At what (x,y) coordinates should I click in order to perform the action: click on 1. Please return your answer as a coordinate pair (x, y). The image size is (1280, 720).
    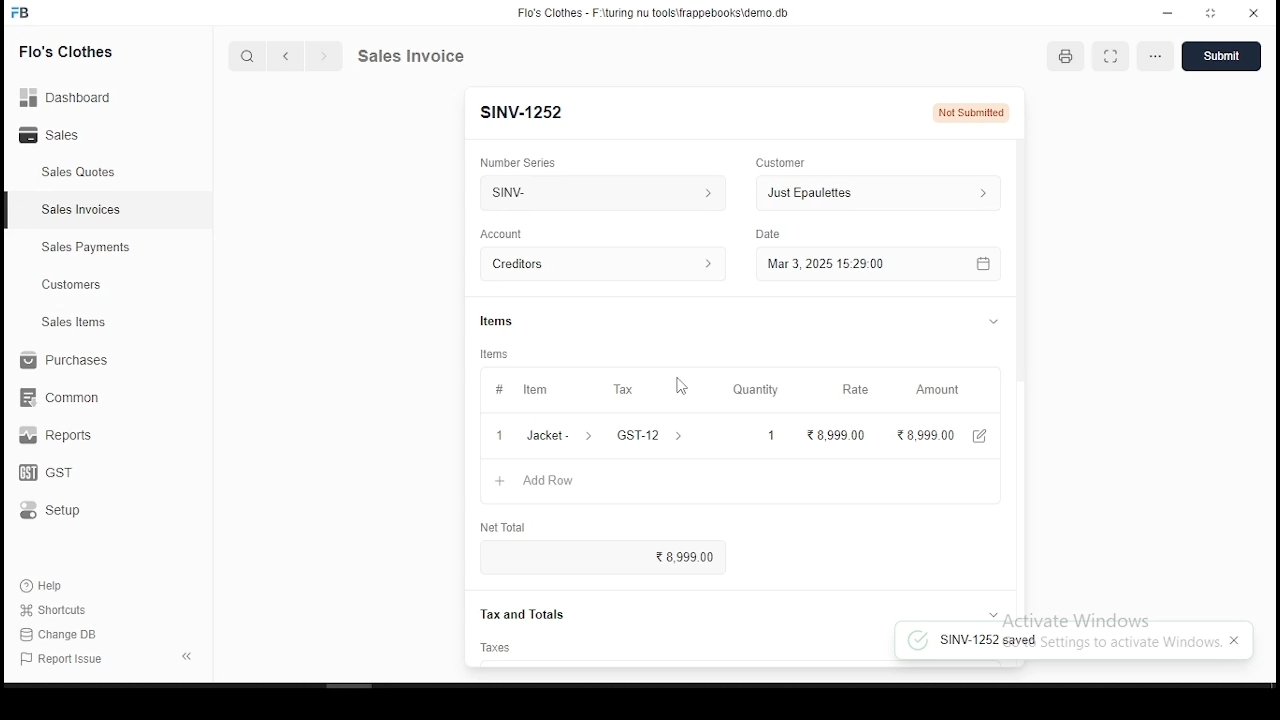
    Looking at the image, I should click on (771, 434).